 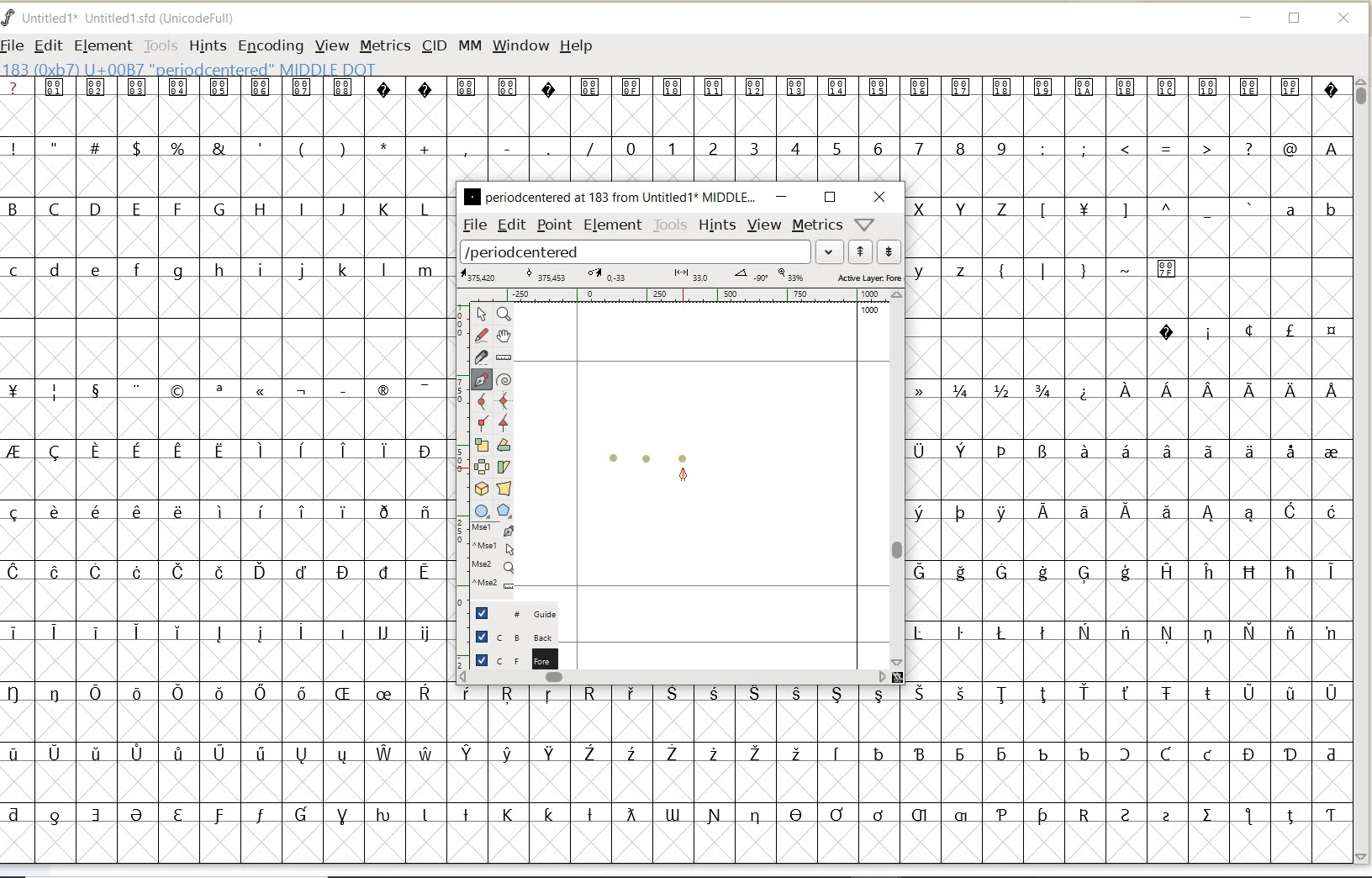 What do you see at coordinates (221, 209) in the screenshot?
I see `uppercase letters` at bounding box center [221, 209].